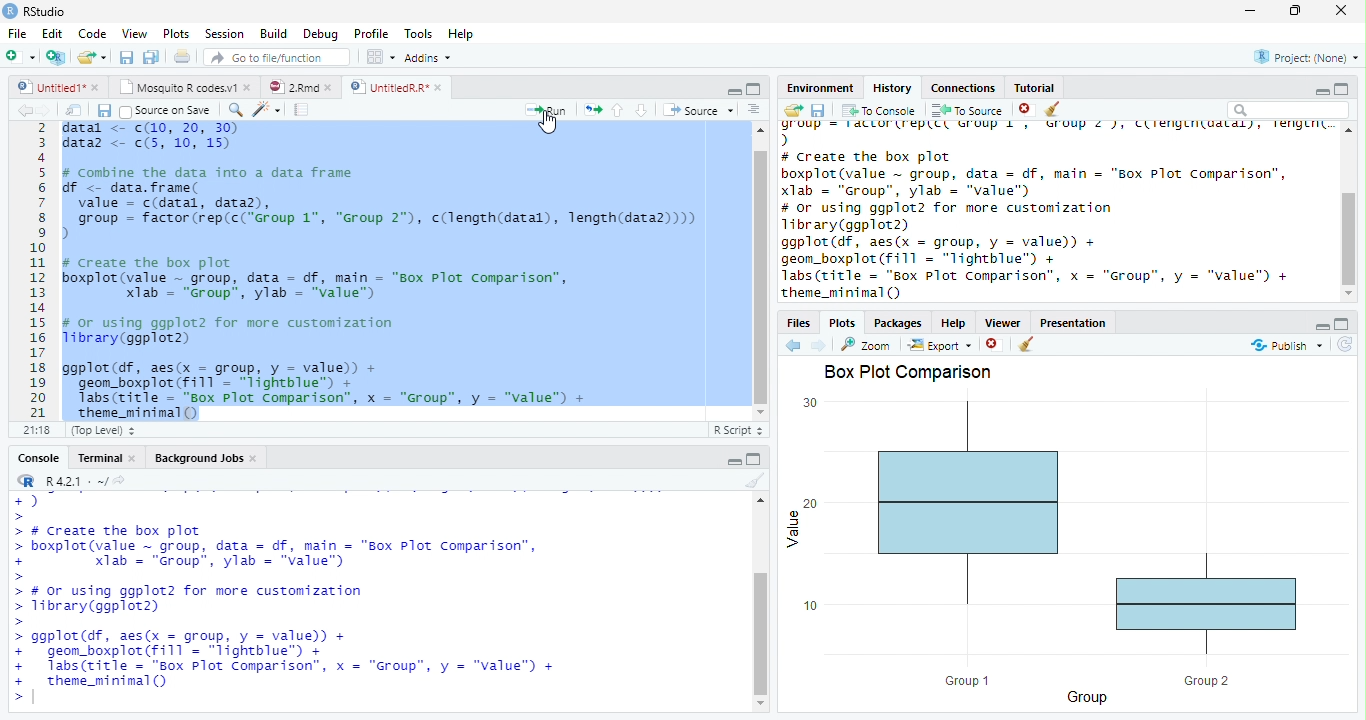  What do you see at coordinates (371, 33) in the screenshot?
I see `Profile` at bounding box center [371, 33].